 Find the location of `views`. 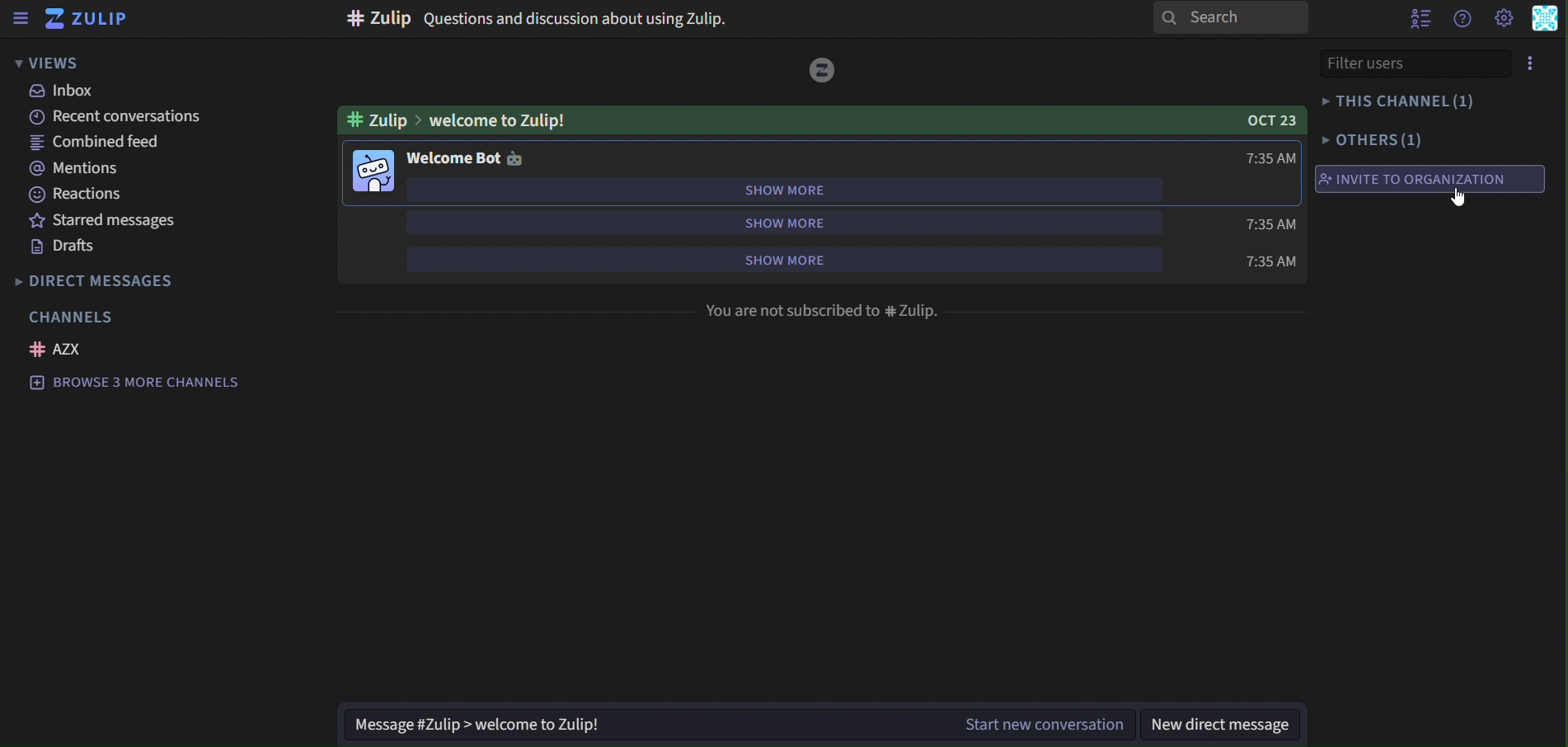

views is located at coordinates (65, 64).